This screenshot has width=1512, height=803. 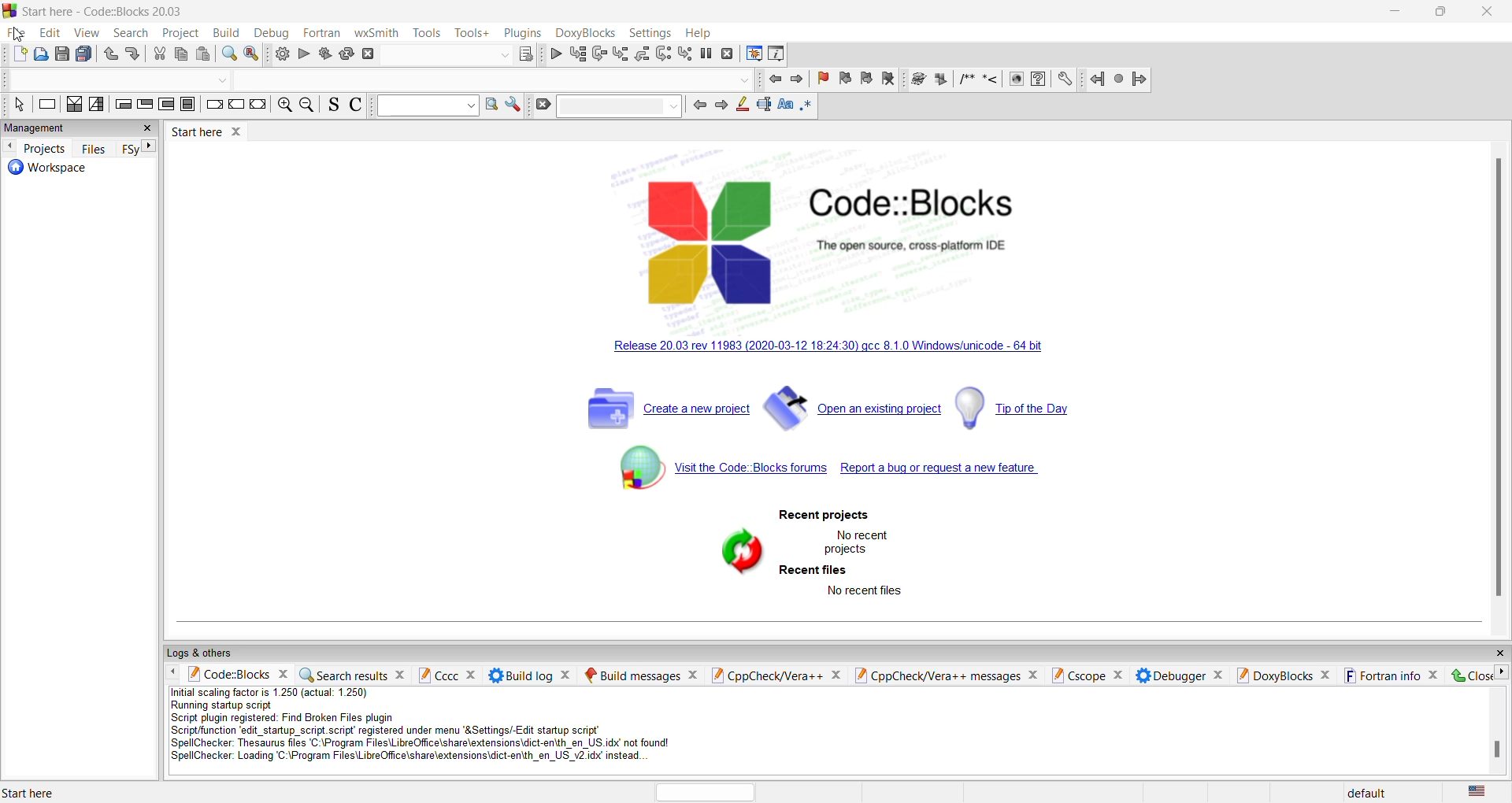 What do you see at coordinates (1117, 80) in the screenshot?
I see `last jump` at bounding box center [1117, 80].